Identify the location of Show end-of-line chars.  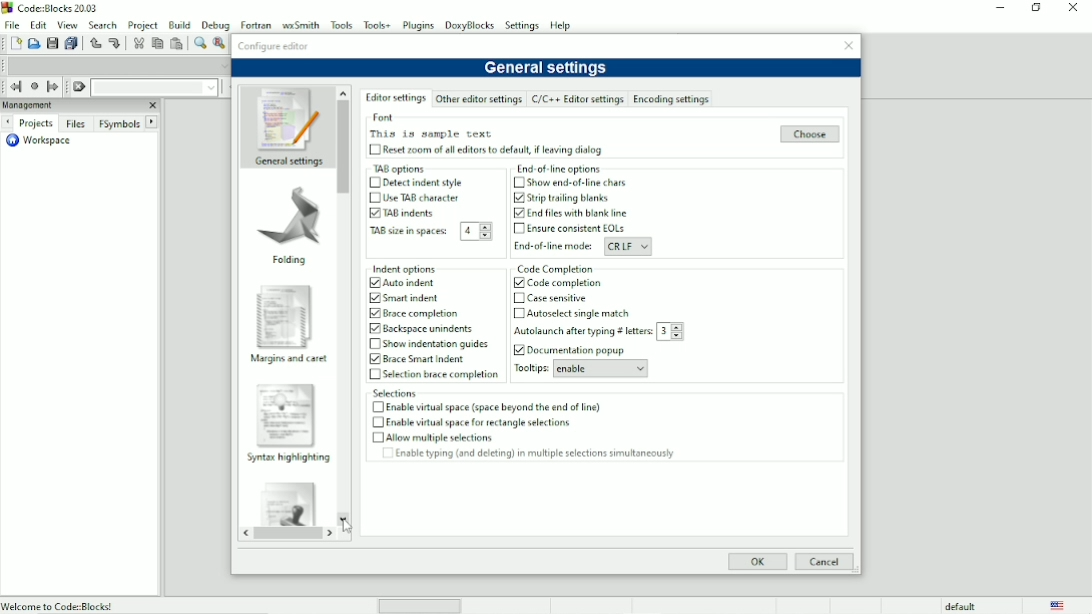
(578, 183).